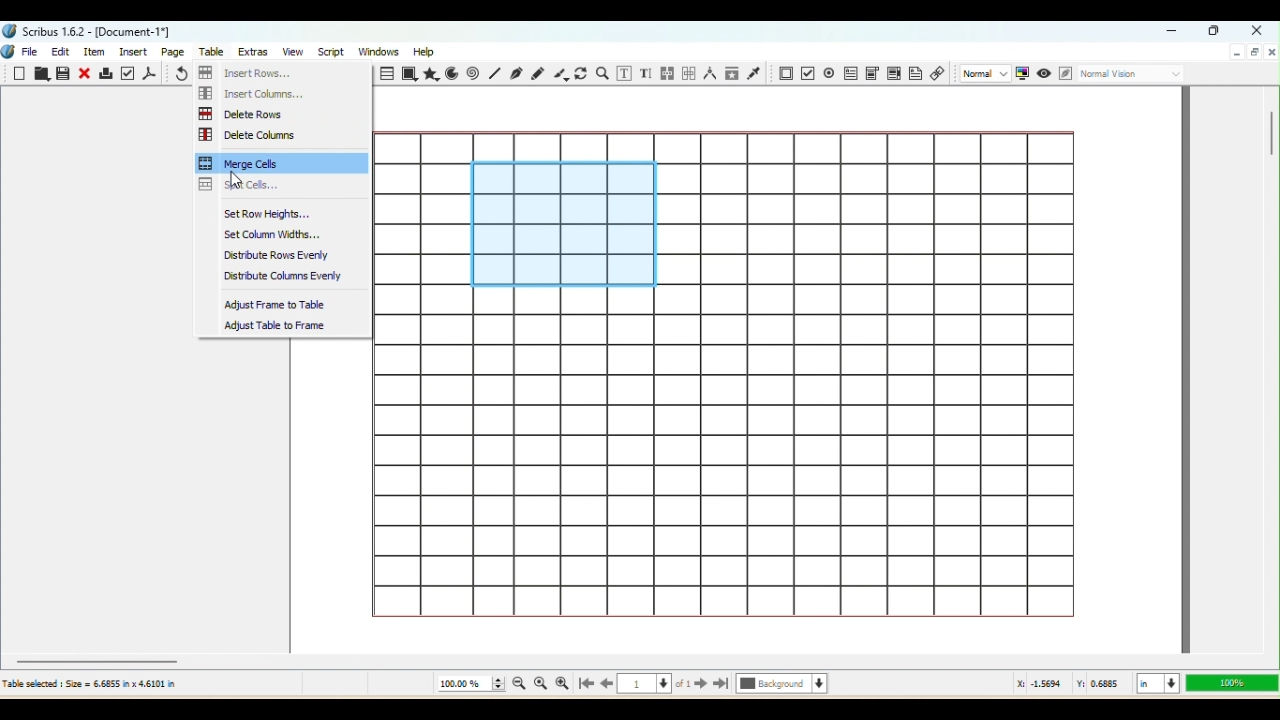 The width and height of the screenshot is (1280, 720). Describe the element at coordinates (1236, 53) in the screenshot. I see `Minimize` at that location.